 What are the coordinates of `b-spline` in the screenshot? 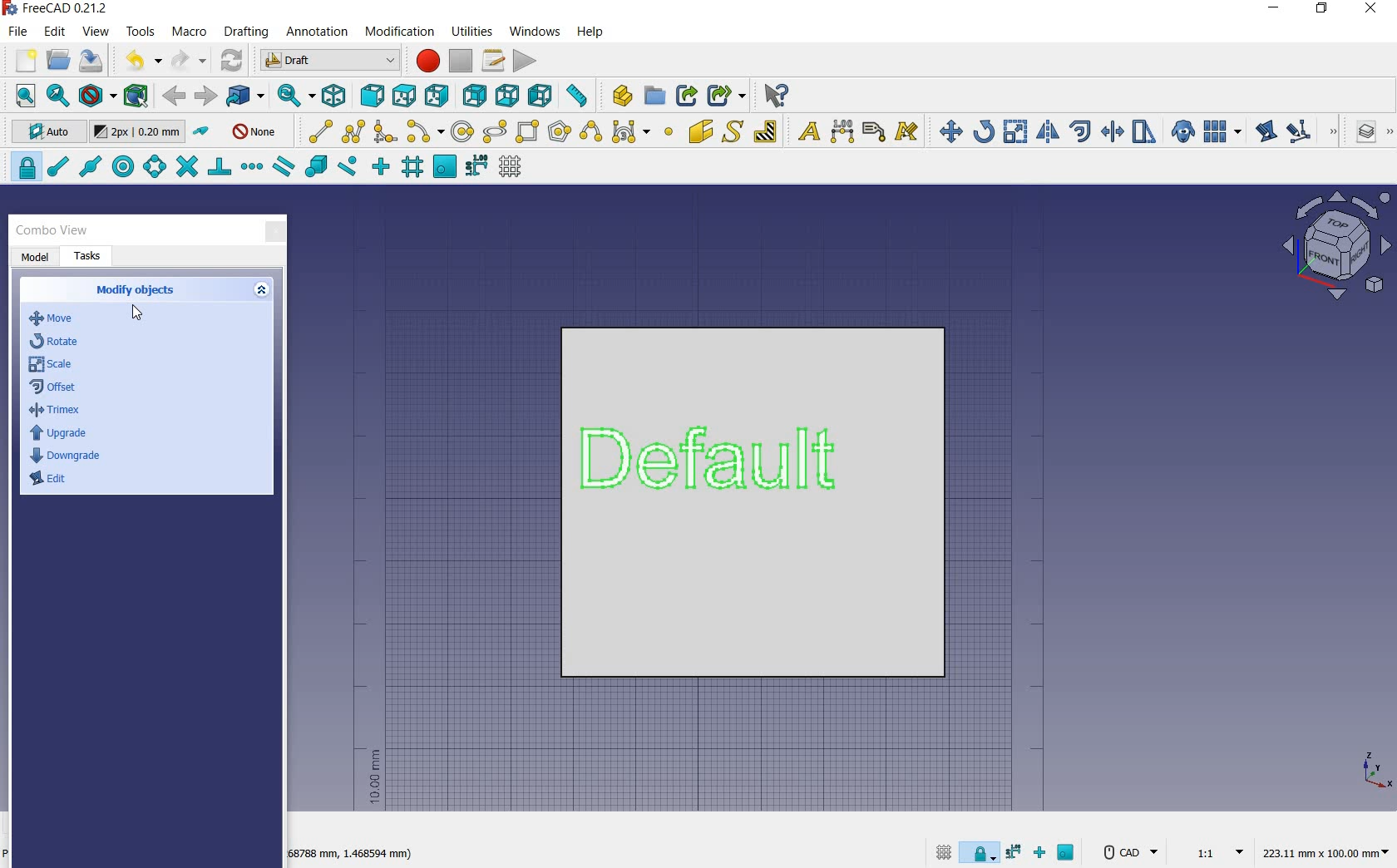 It's located at (590, 133).